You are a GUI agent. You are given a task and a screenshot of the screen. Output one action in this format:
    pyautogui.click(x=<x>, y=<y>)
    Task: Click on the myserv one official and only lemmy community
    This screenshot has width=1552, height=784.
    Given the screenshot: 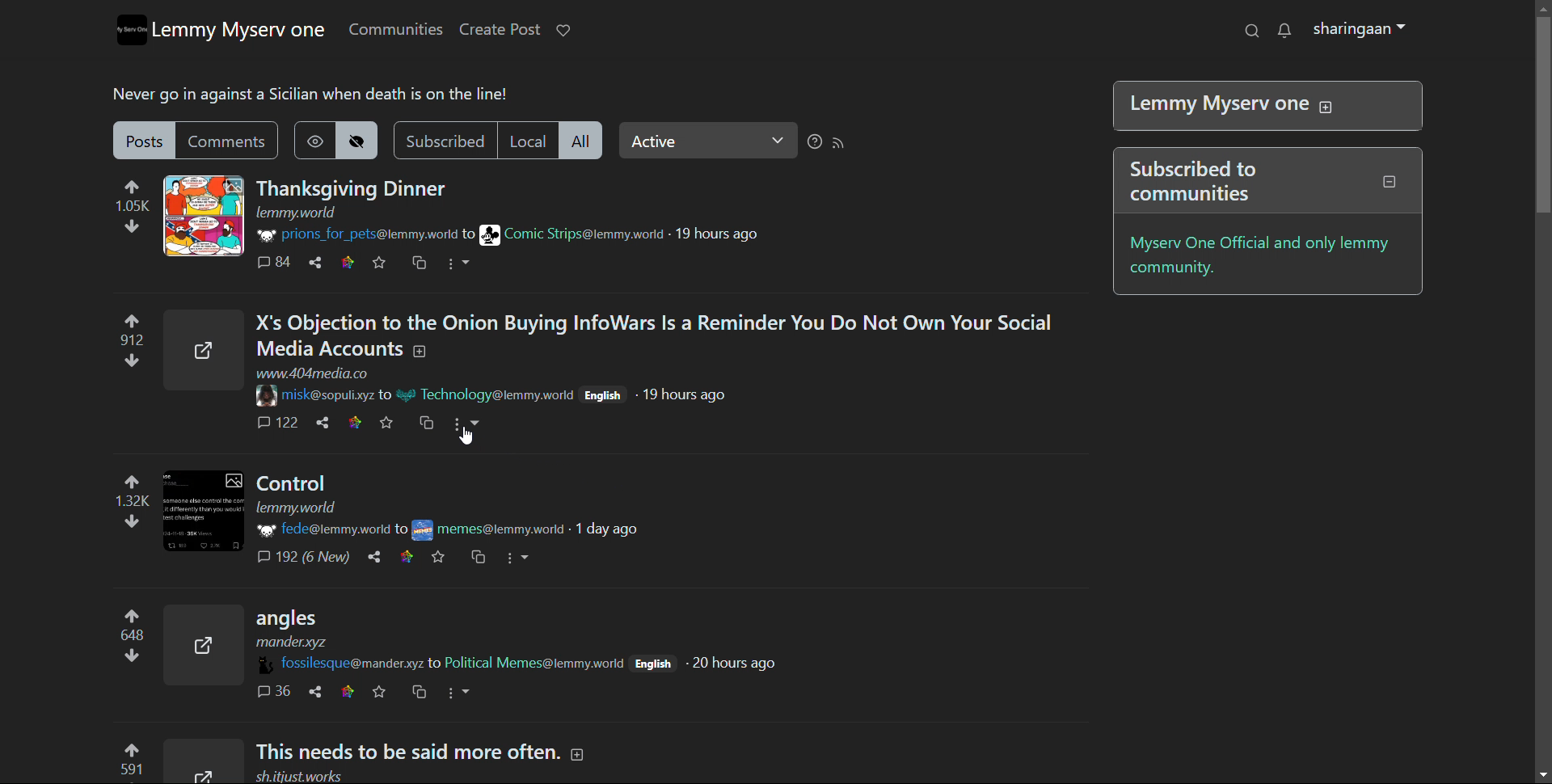 What is the action you would take?
    pyautogui.click(x=1263, y=256)
    